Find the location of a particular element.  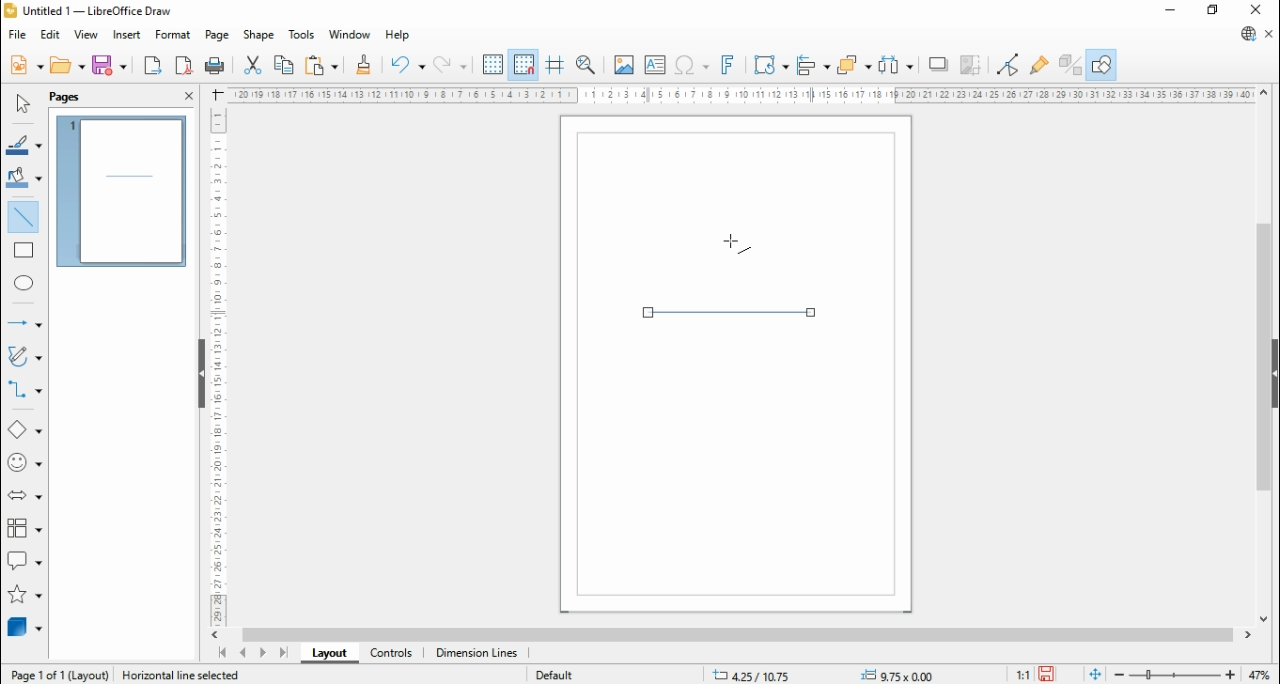

file is located at coordinates (16, 35).